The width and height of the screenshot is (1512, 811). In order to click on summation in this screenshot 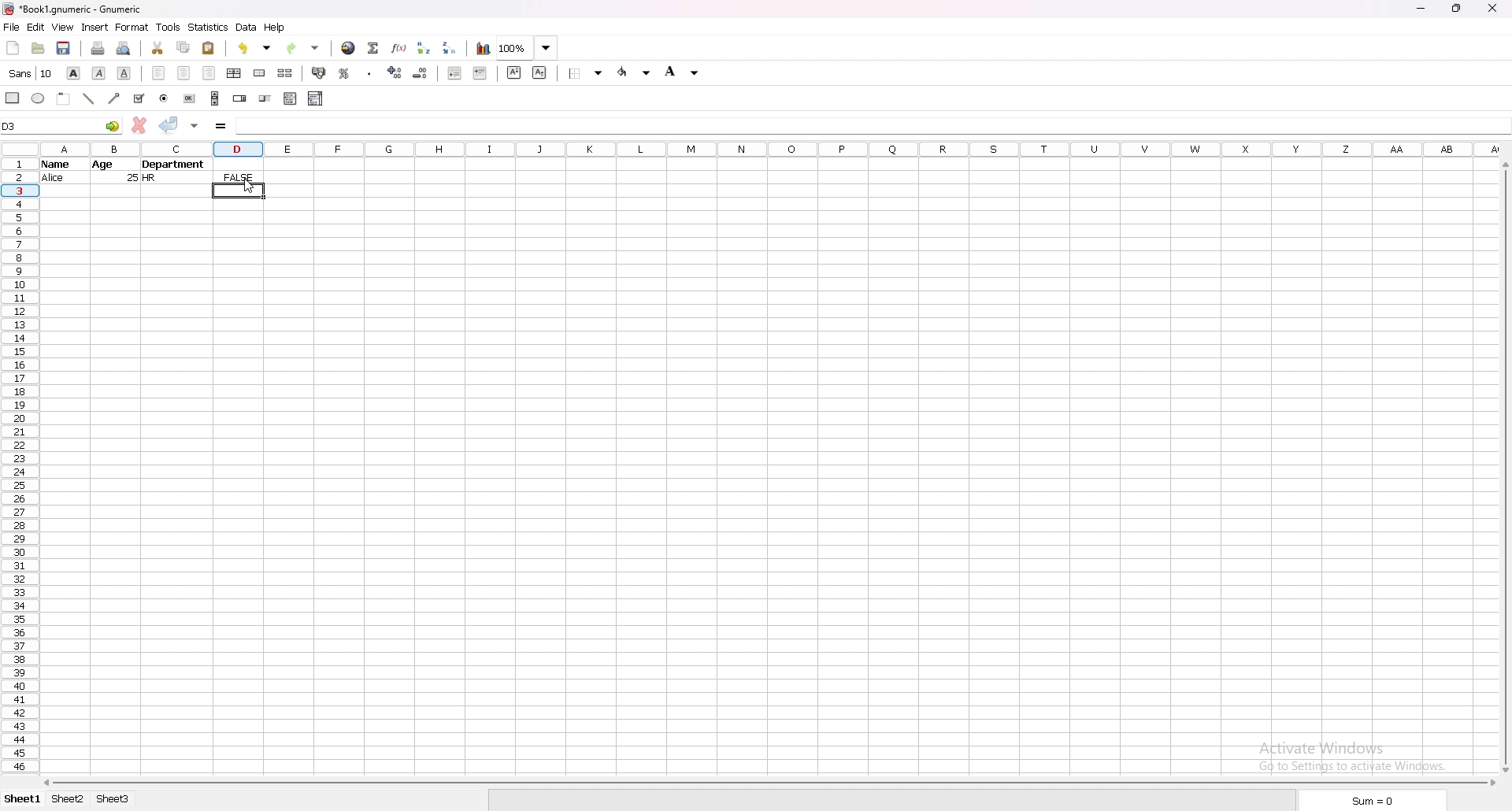, I will do `click(373, 47)`.